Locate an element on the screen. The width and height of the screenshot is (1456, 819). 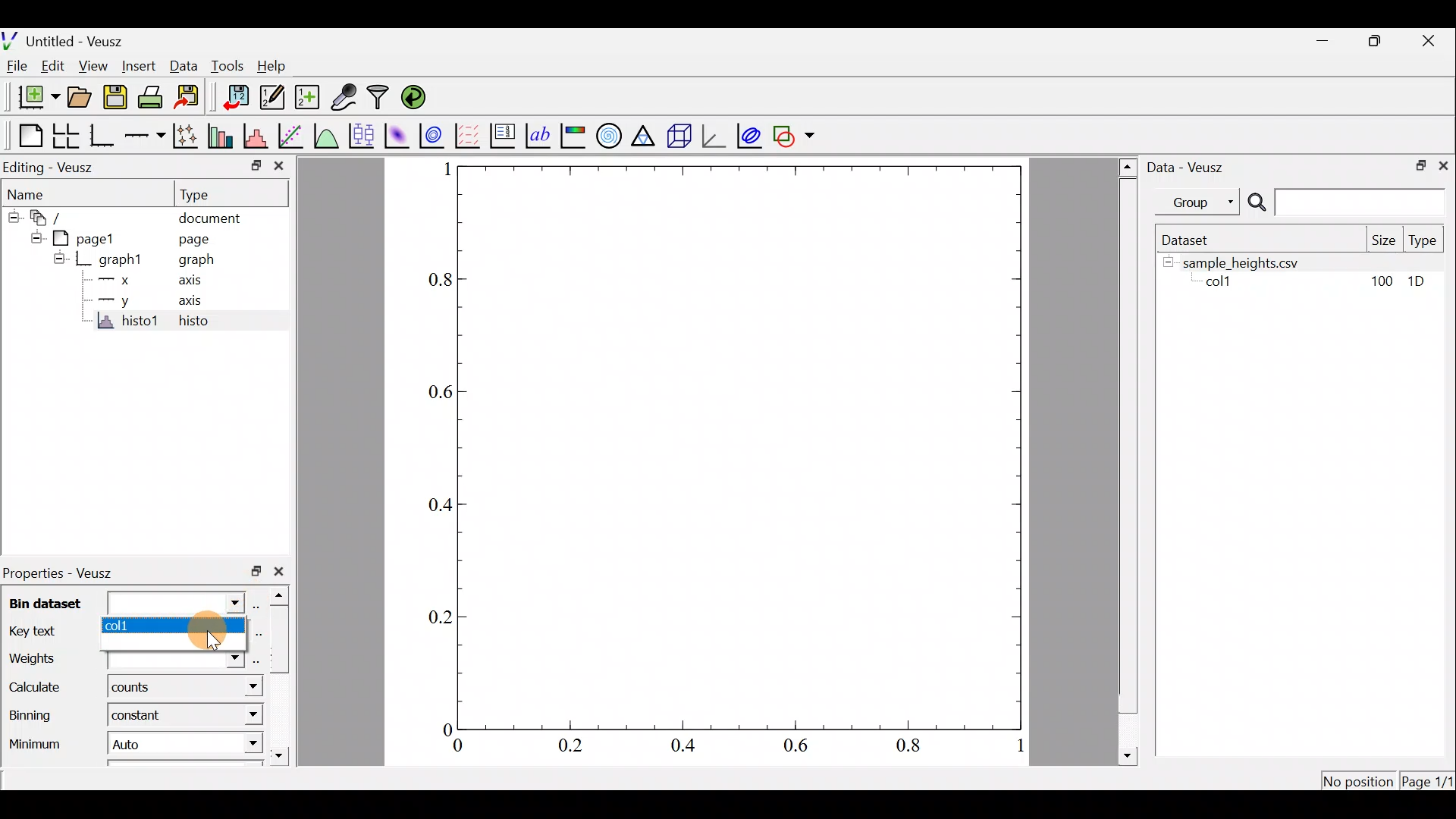
capture remote data is located at coordinates (343, 96).